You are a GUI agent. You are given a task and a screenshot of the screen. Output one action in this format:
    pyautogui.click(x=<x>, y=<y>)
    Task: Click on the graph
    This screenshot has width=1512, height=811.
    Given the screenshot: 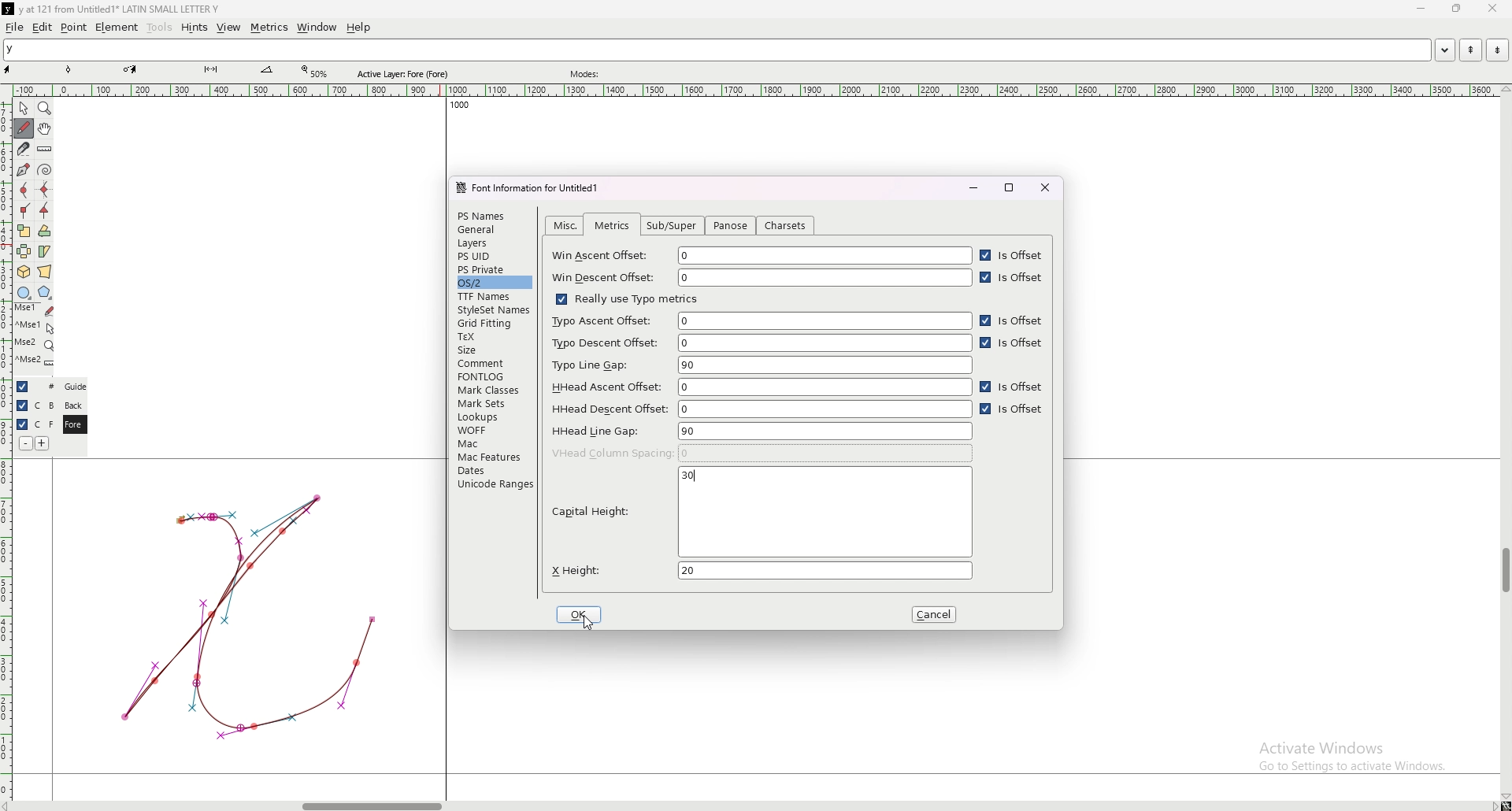 What is the action you would take?
    pyautogui.click(x=248, y=615)
    